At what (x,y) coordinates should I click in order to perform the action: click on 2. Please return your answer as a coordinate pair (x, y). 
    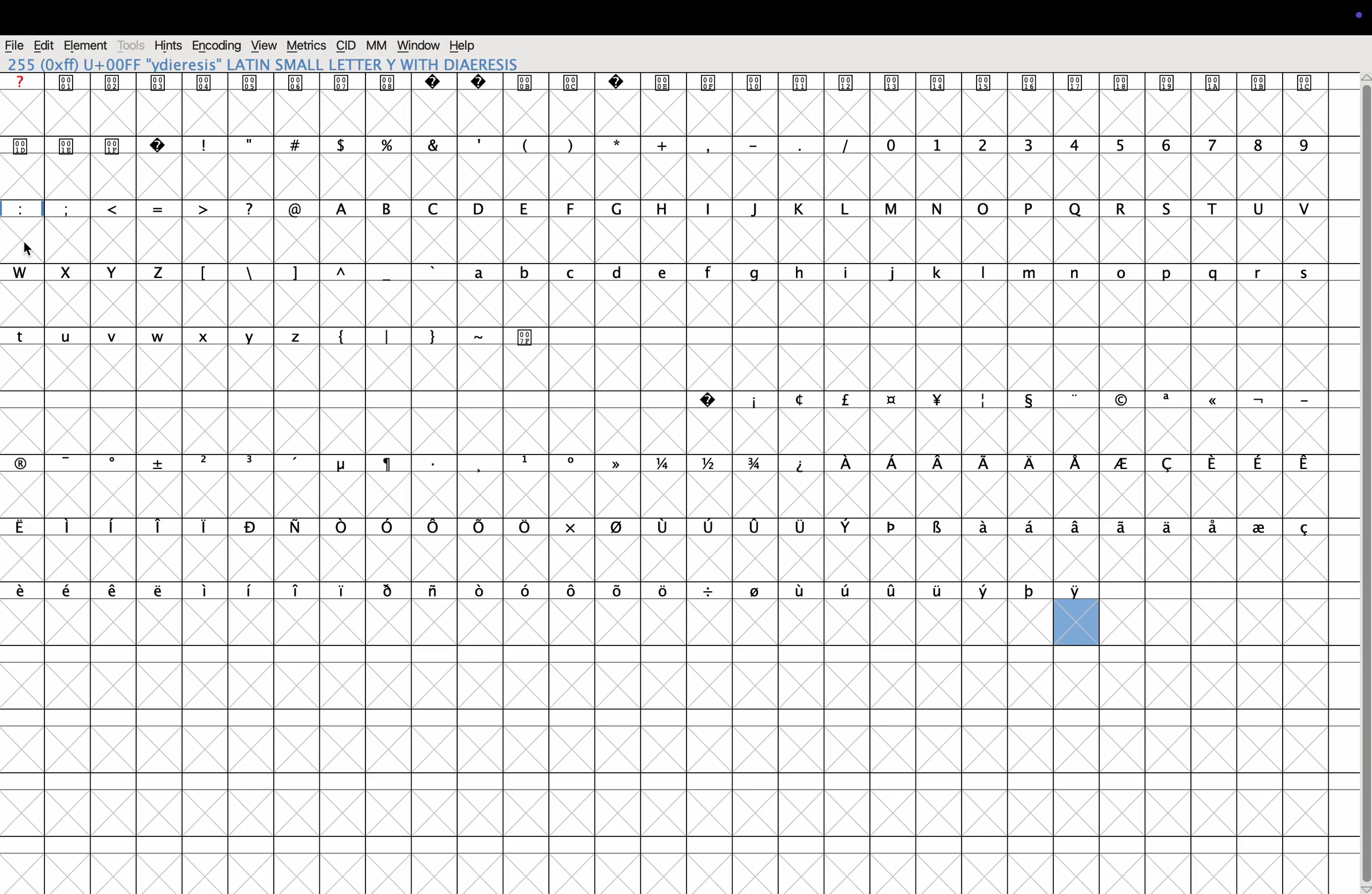
    Looking at the image, I should click on (986, 167).